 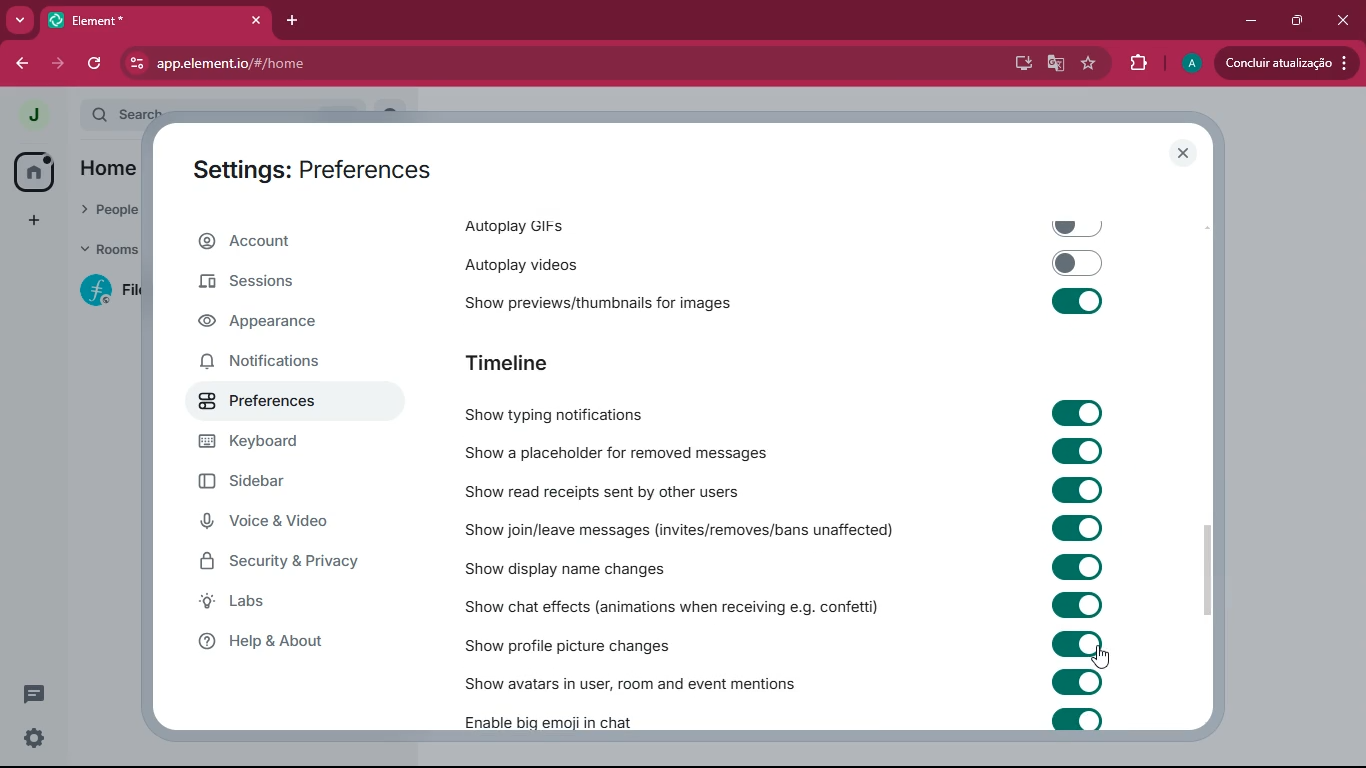 What do you see at coordinates (797, 223) in the screenshot?
I see `autoplay gifs` at bounding box center [797, 223].